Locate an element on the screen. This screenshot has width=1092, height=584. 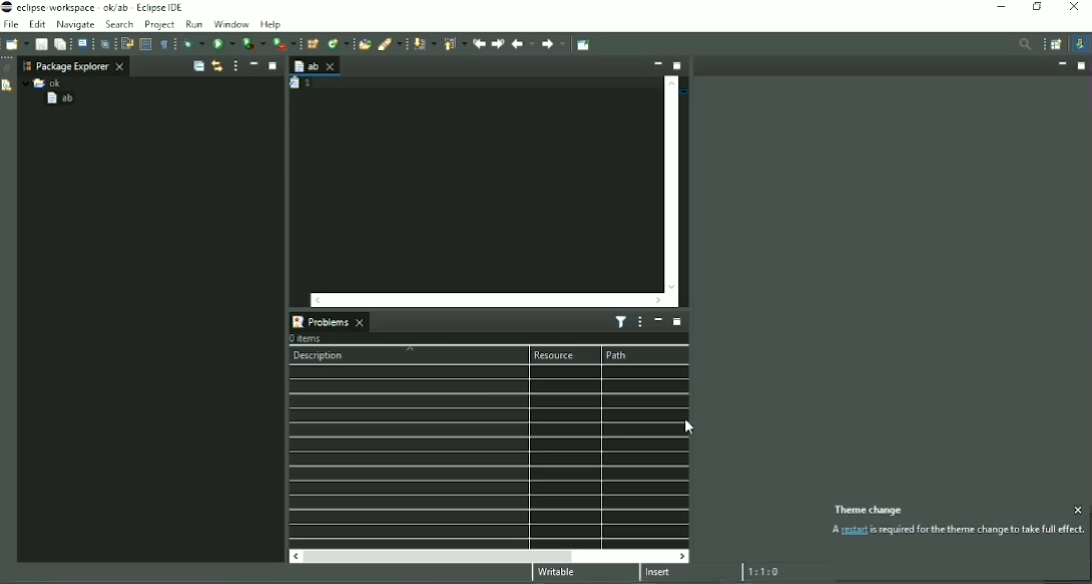
Minimize is located at coordinates (659, 63).